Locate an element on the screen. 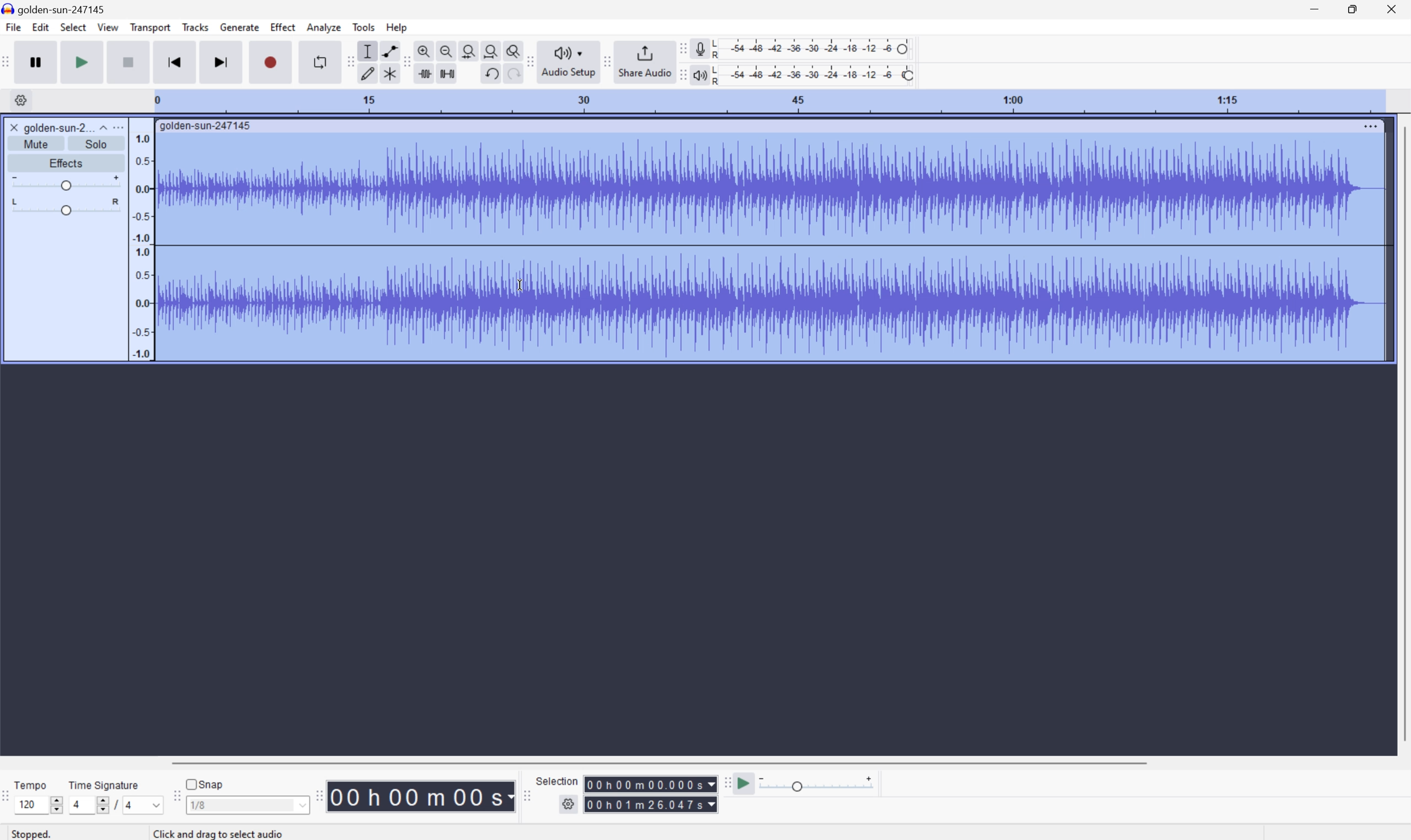 This screenshot has height=840, width=1411. Silence audio selection is located at coordinates (447, 74).